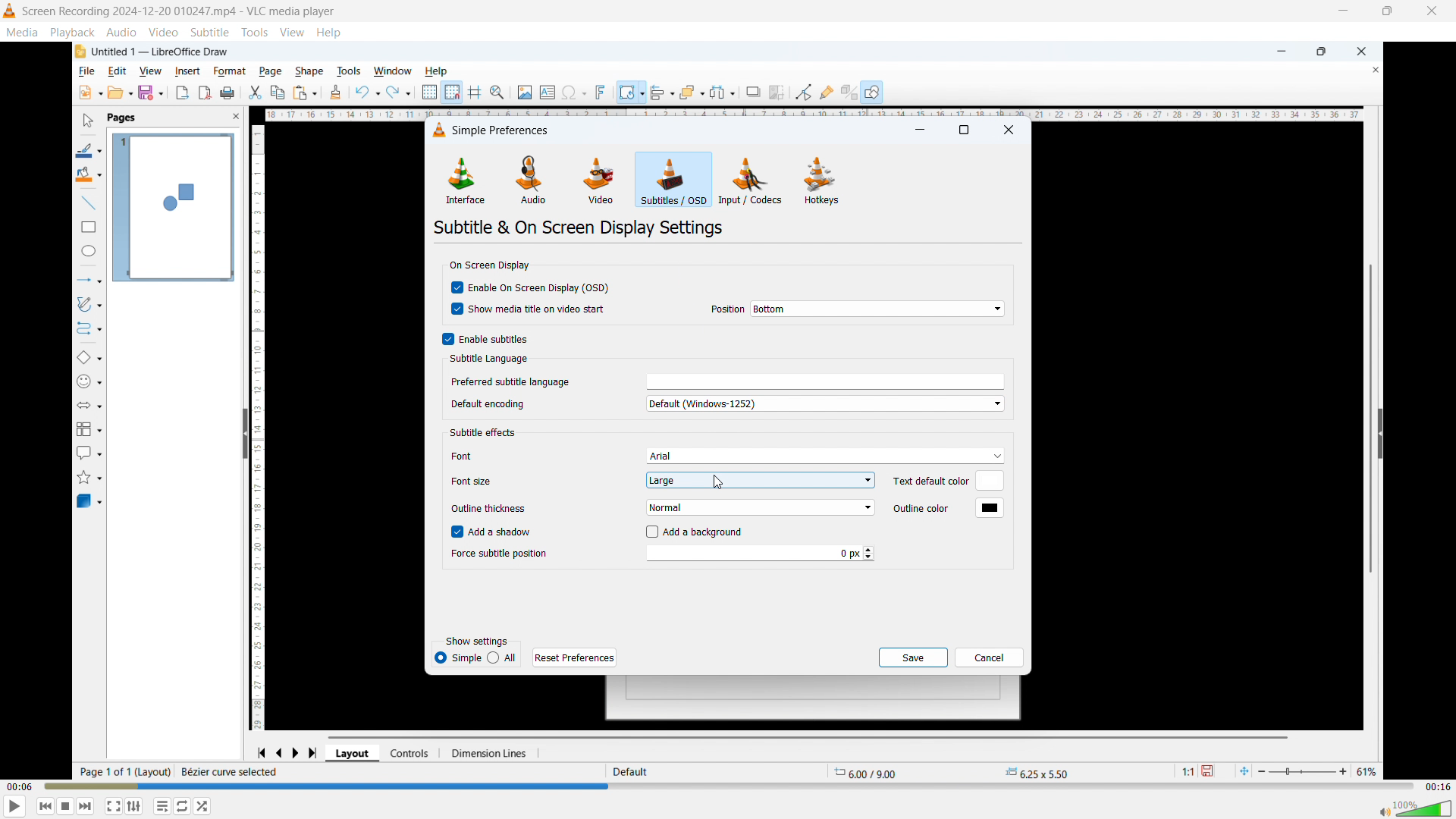 This screenshot has height=819, width=1456. What do you see at coordinates (990, 508) in the screenshot?
I see `Default outline color ` at bounding box center [990, 508].